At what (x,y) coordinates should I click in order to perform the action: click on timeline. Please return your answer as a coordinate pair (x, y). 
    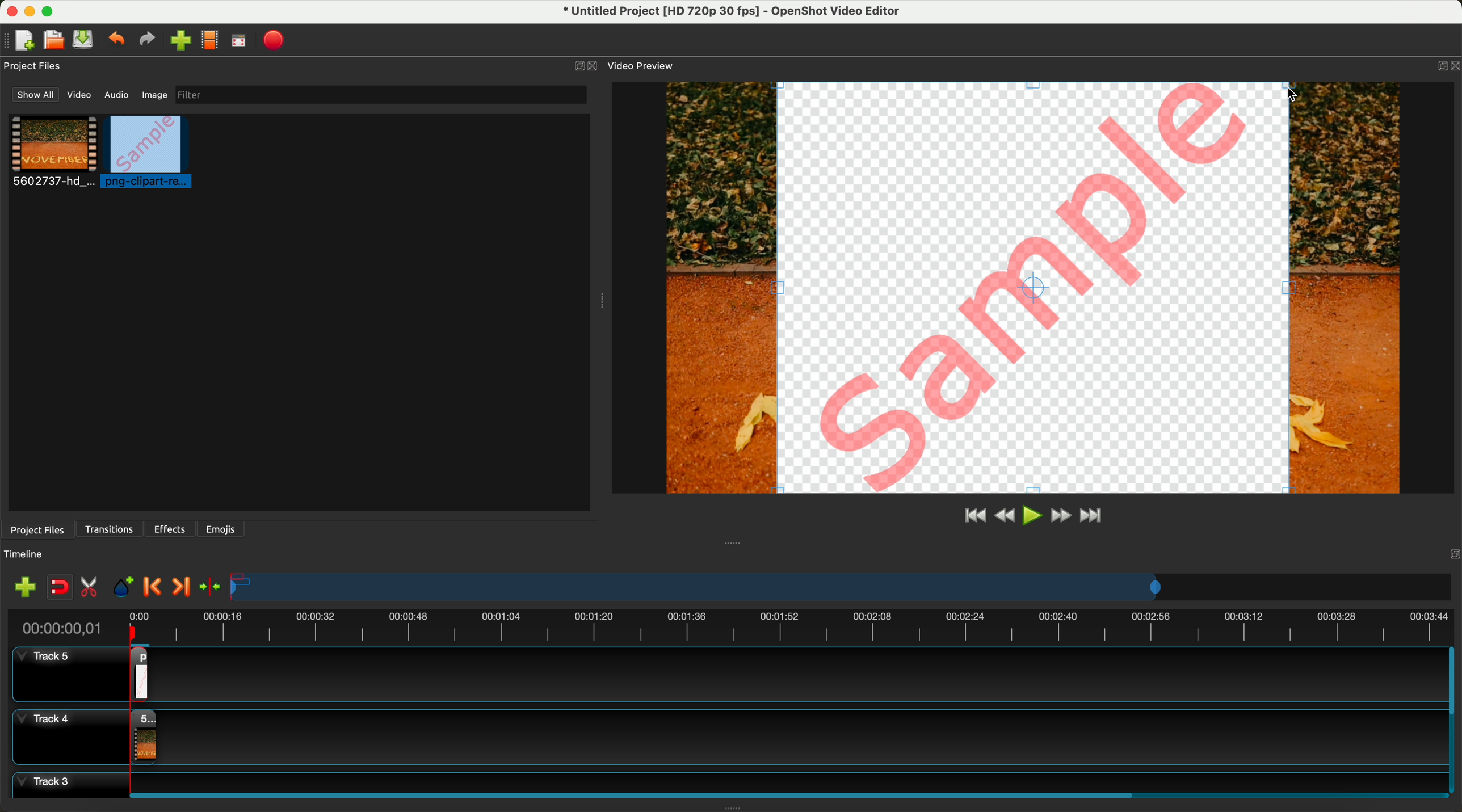
    Looking at the image, I should click on (730, 626).